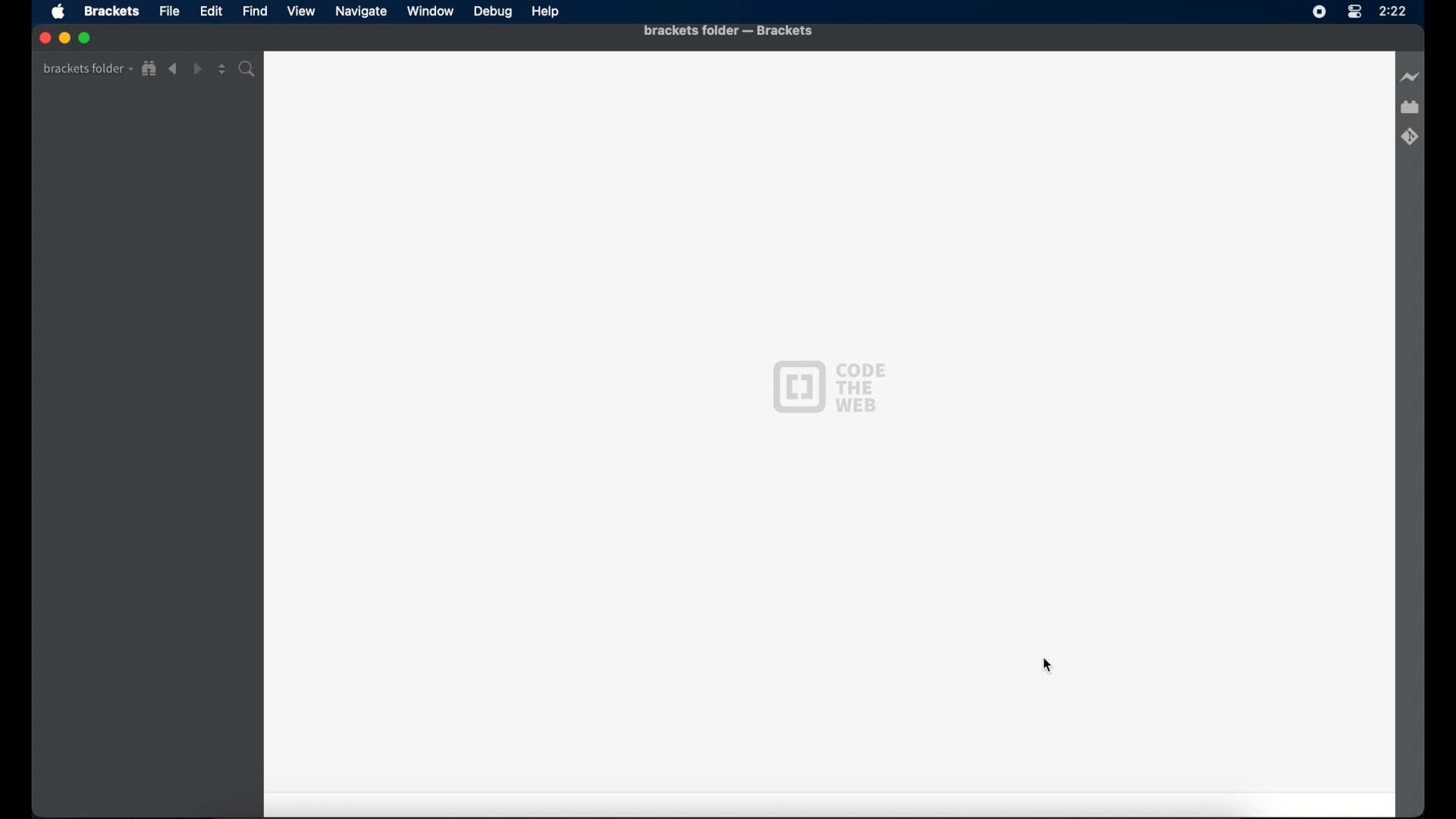 The width and height of the screenshot is (1456, 819). I want to click on brackets git extension icon, so click(1410, 136).